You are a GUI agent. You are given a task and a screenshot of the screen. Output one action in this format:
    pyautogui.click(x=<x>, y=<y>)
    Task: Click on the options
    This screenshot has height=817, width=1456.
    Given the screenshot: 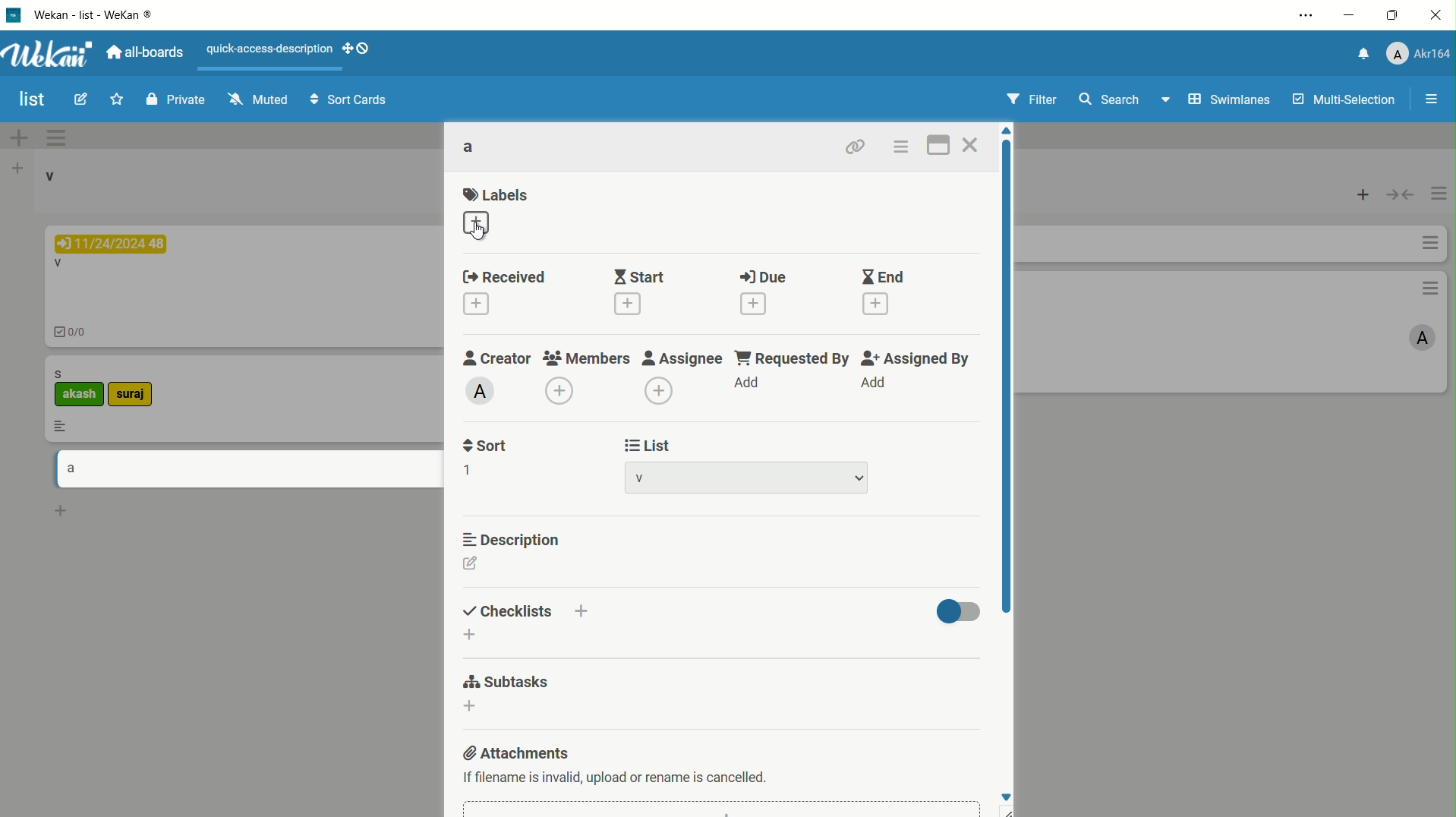 What is the action you would take?
    pyautogui.click(x=1426, y=289)
    